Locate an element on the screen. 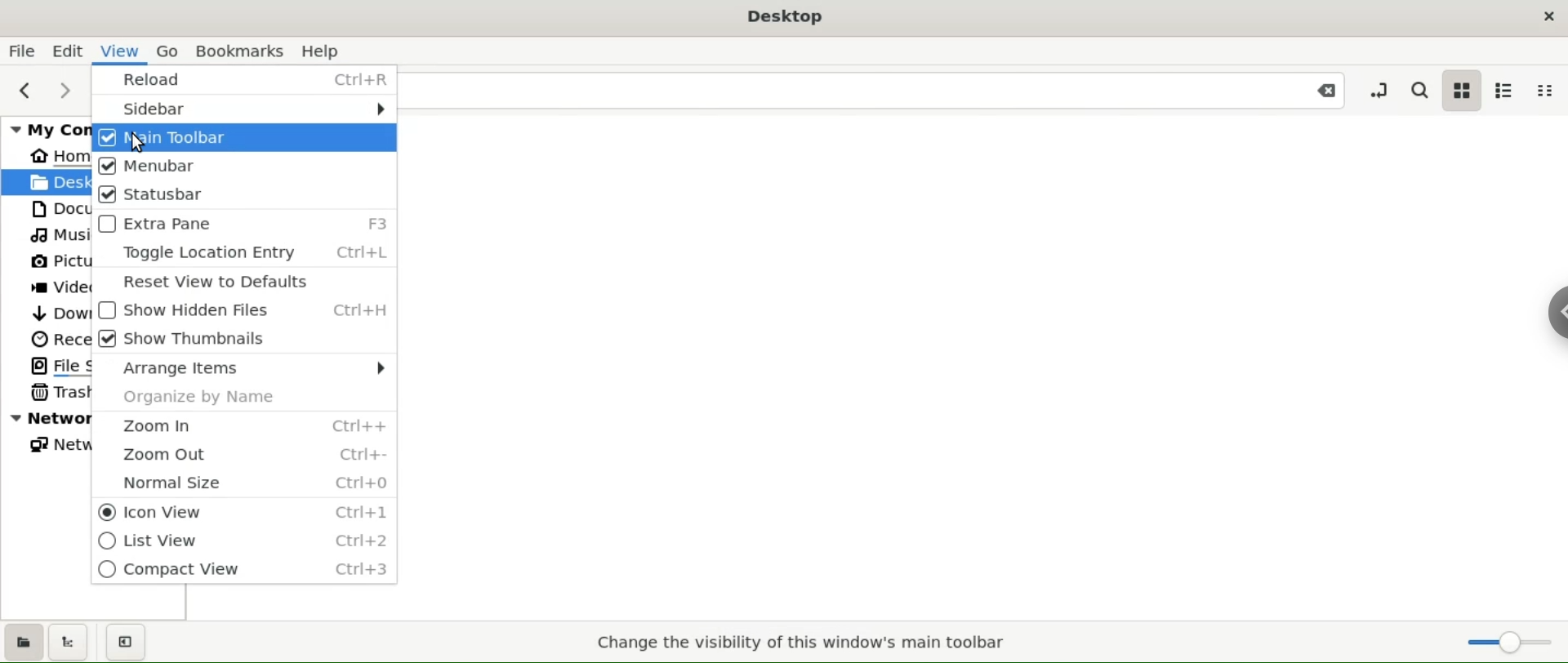  extra pane is located at coordinates (241, 225).